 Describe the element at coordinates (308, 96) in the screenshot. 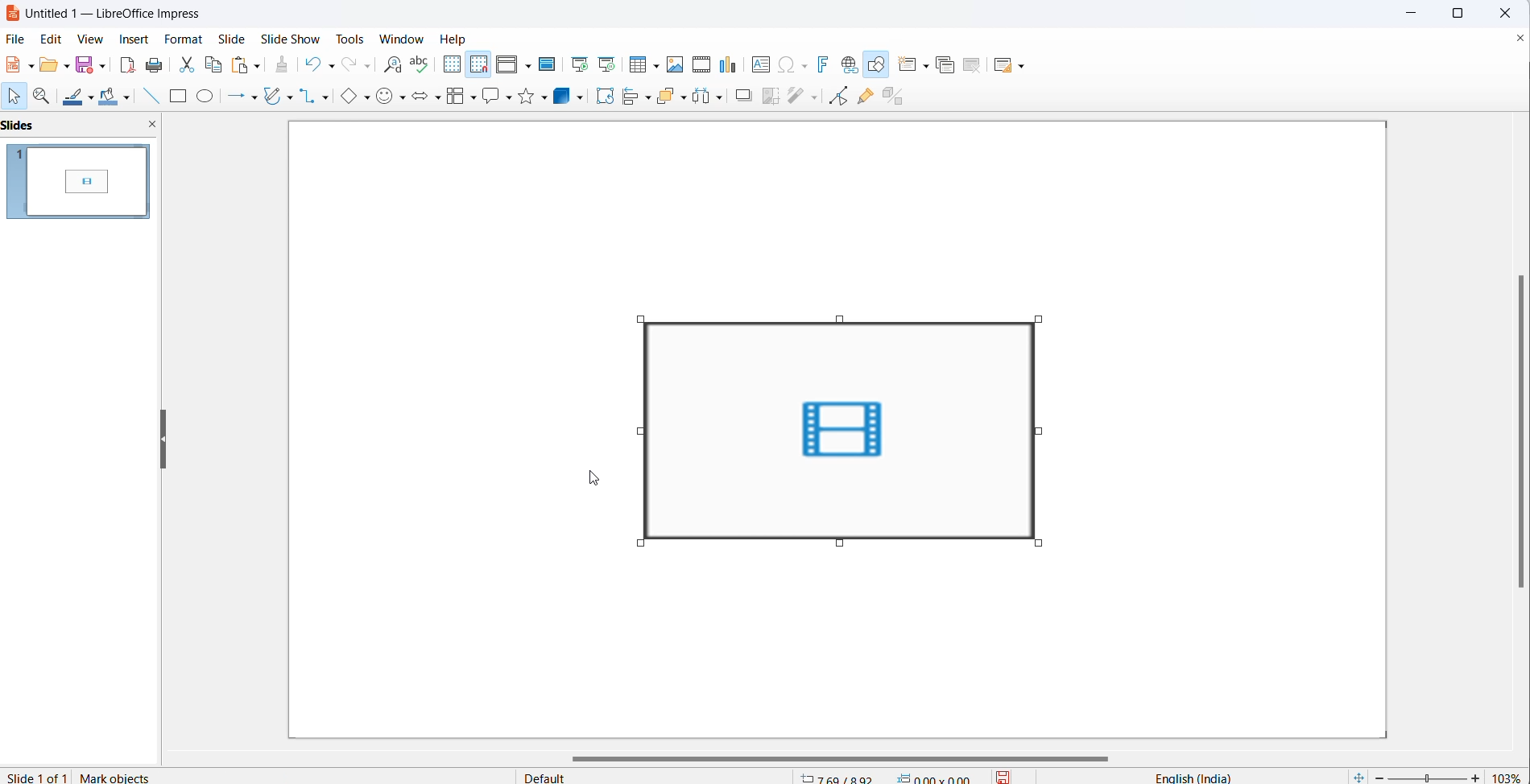

I see `connectors` at that location.